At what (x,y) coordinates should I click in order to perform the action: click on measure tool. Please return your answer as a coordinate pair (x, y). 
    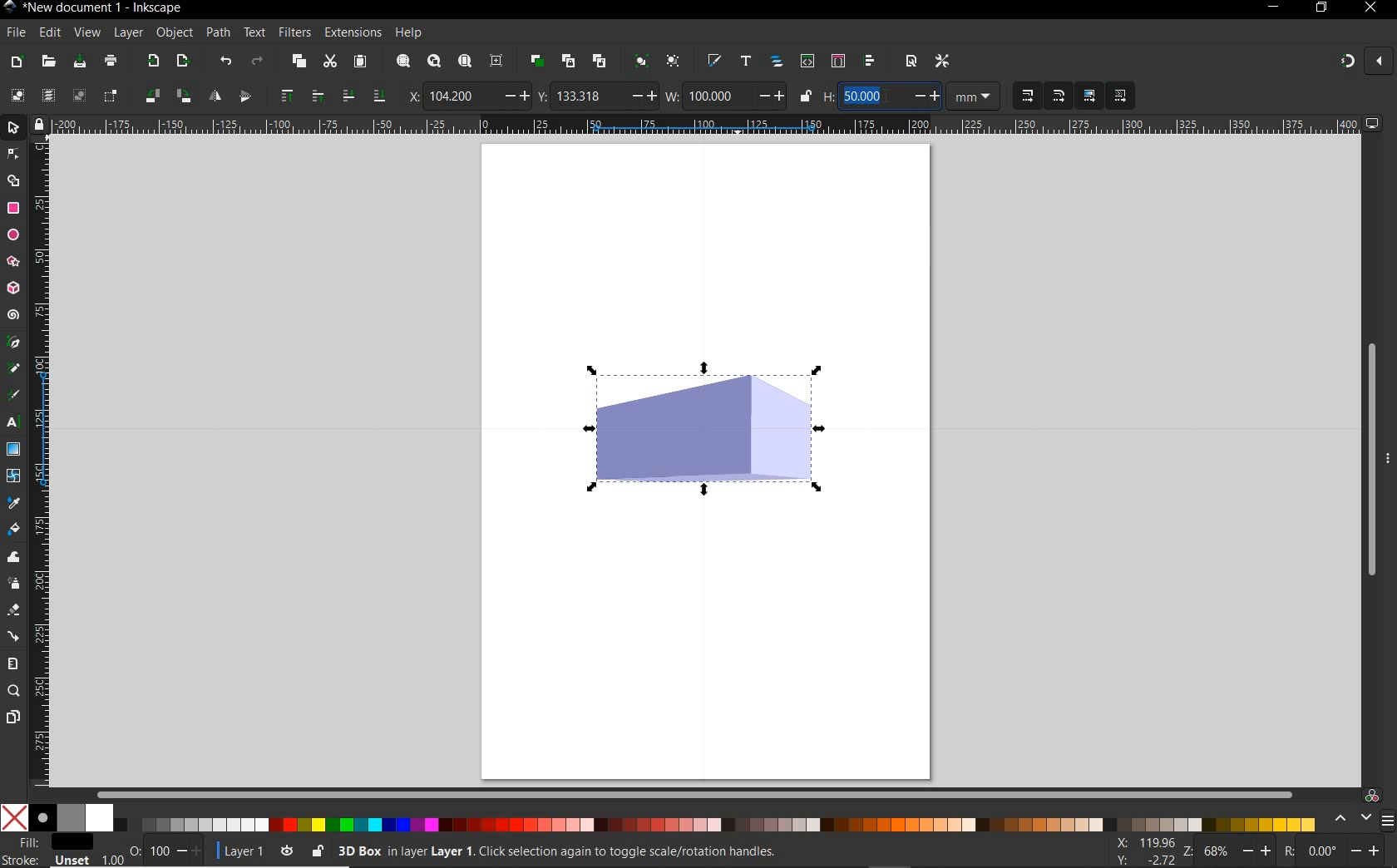
    Looking at the image, I should click on (12, 664).